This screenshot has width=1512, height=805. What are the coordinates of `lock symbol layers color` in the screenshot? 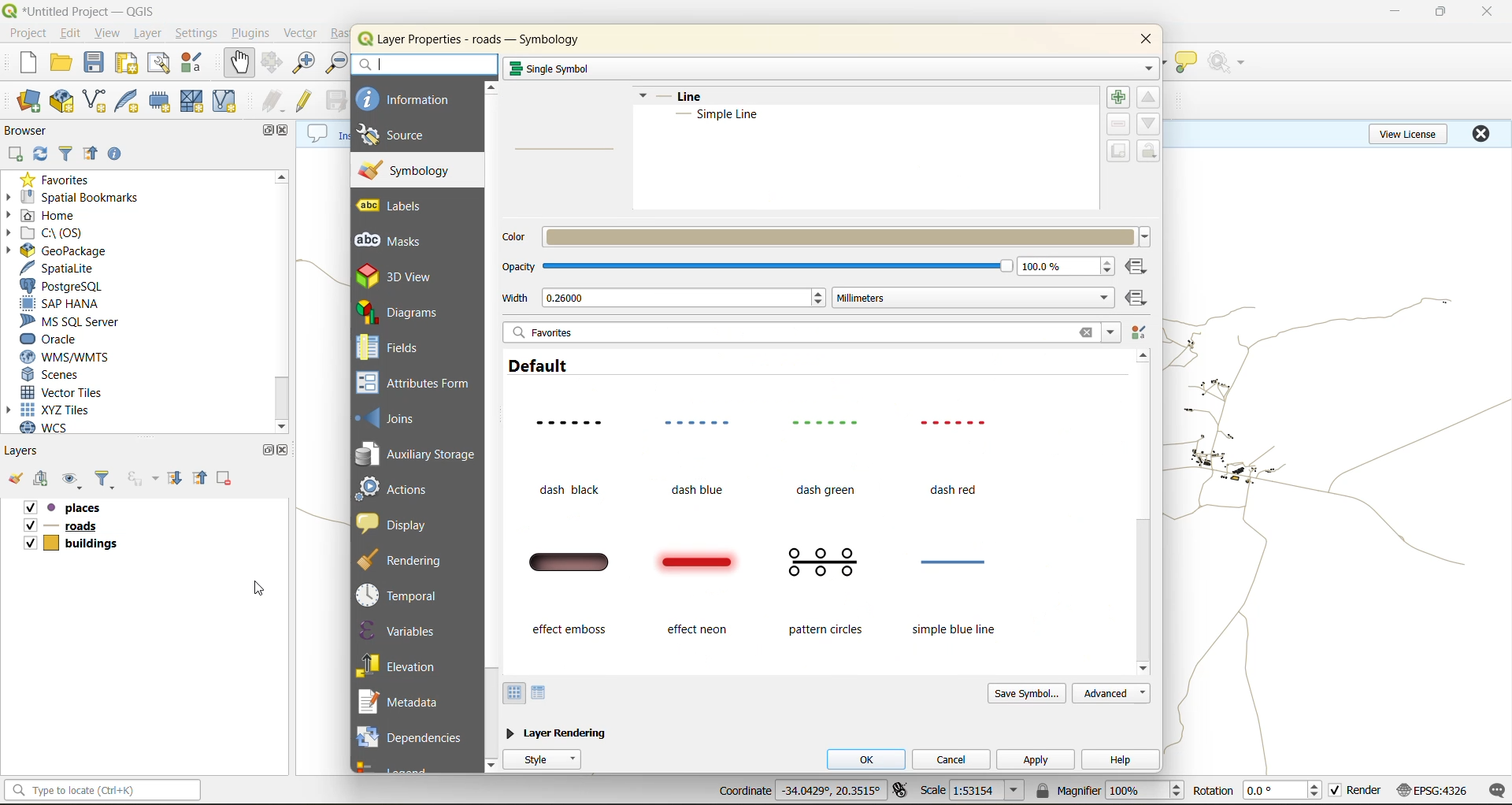 It's located at (1151, 154).